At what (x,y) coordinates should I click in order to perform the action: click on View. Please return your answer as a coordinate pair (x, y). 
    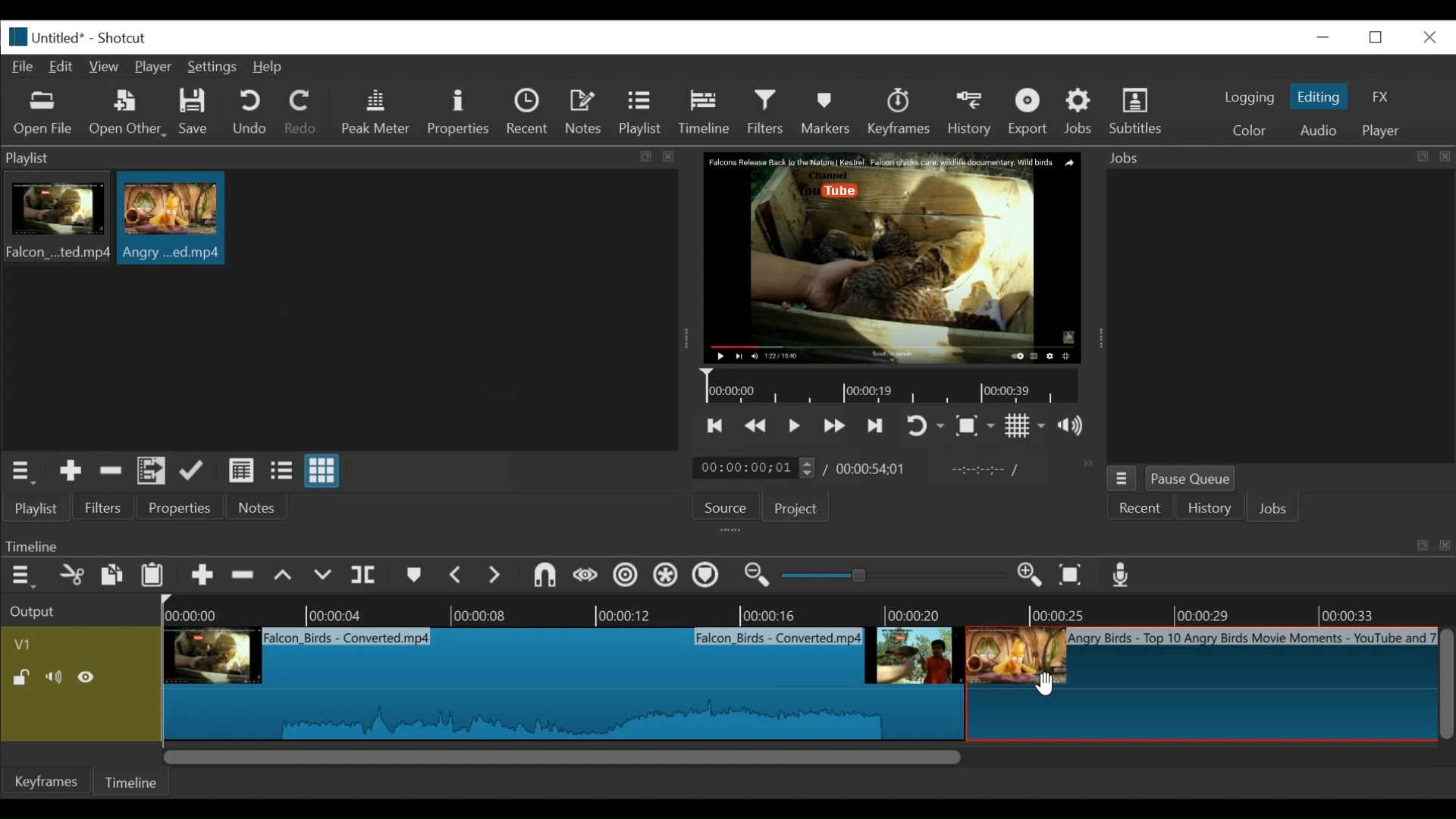
    Looking at the image, I should click on (105, 67).